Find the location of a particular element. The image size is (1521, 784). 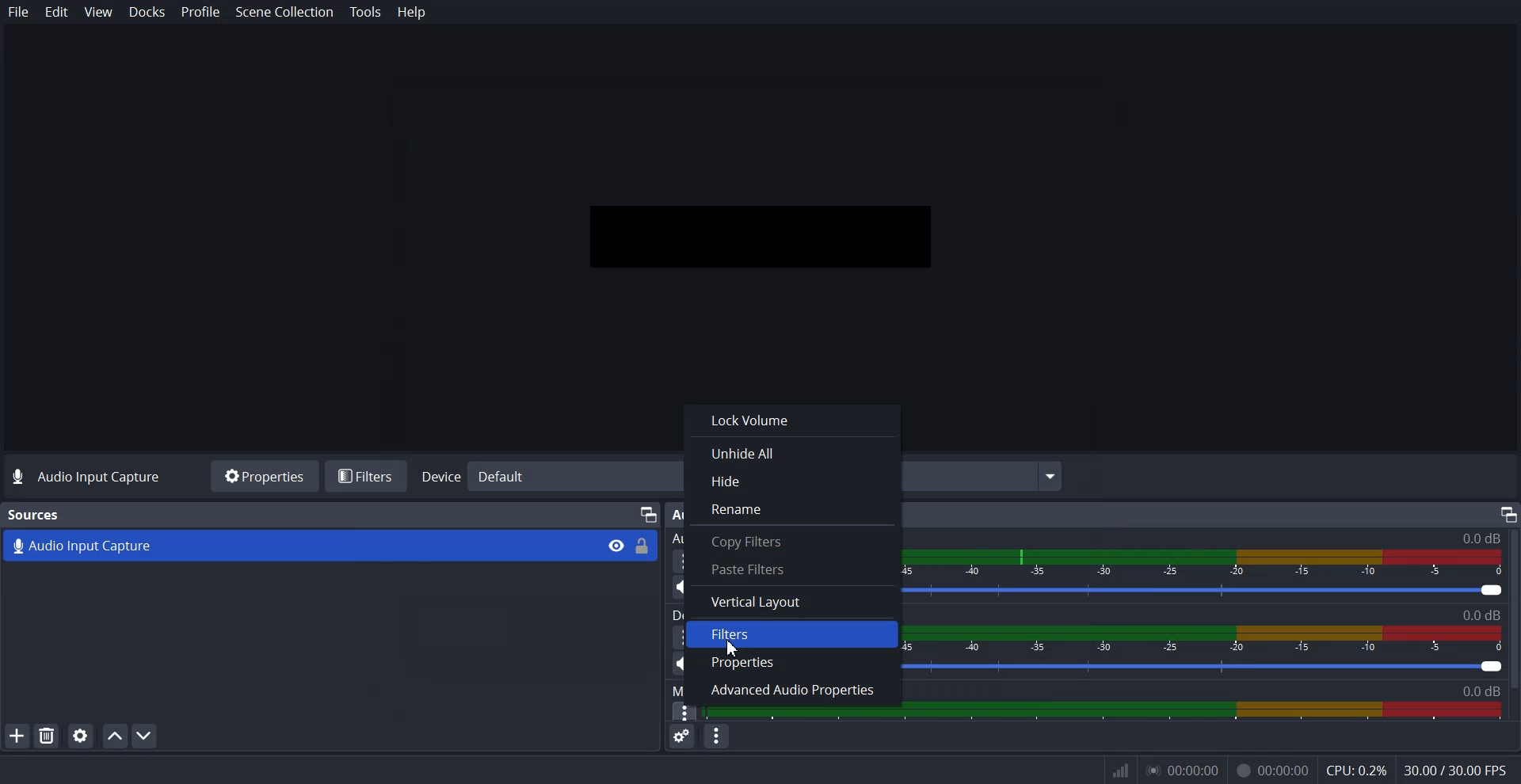

Volume level adjuster is located at coordinates (1217, 592).